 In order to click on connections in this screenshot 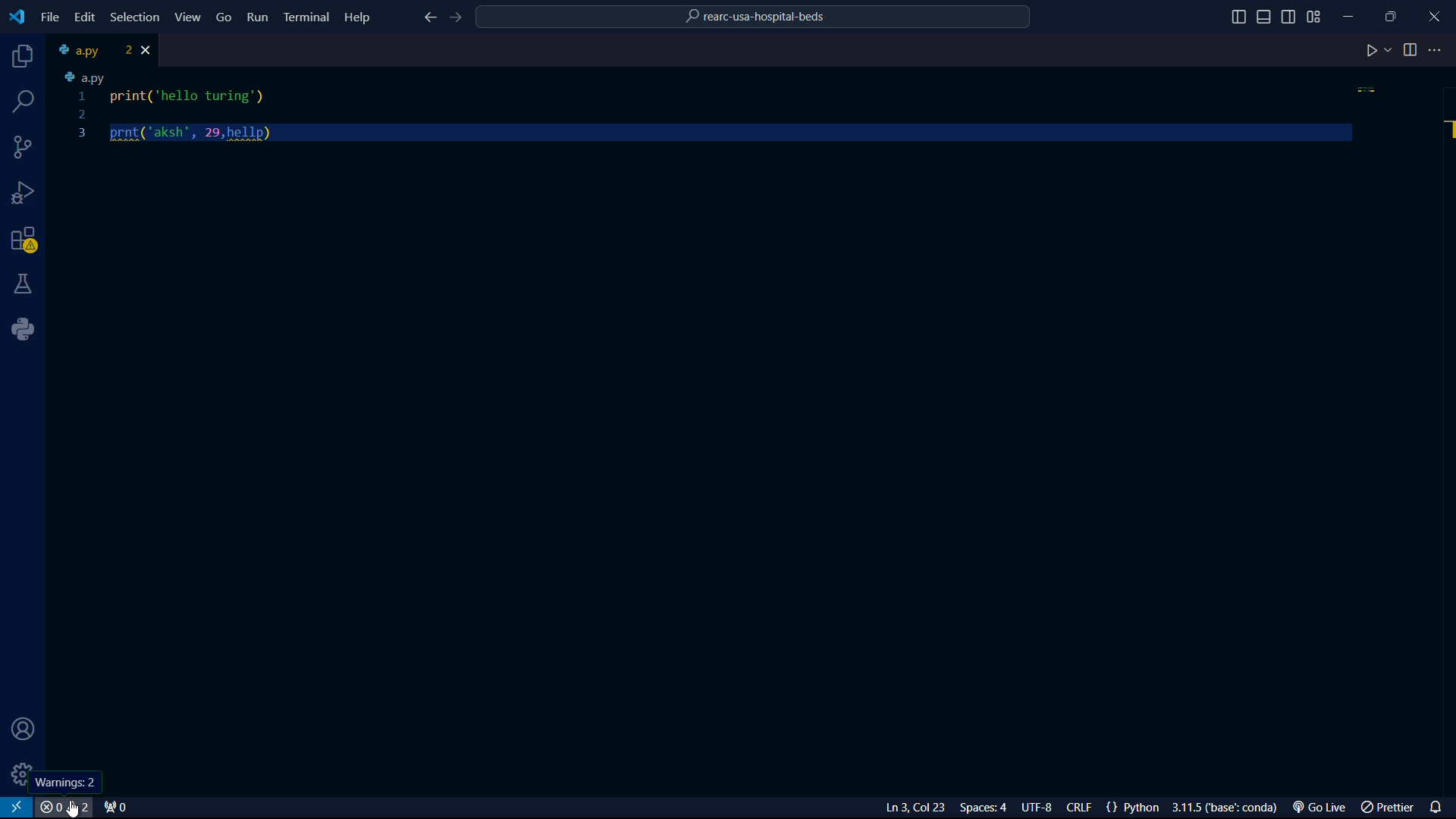, I will do `click(24, 147)`.